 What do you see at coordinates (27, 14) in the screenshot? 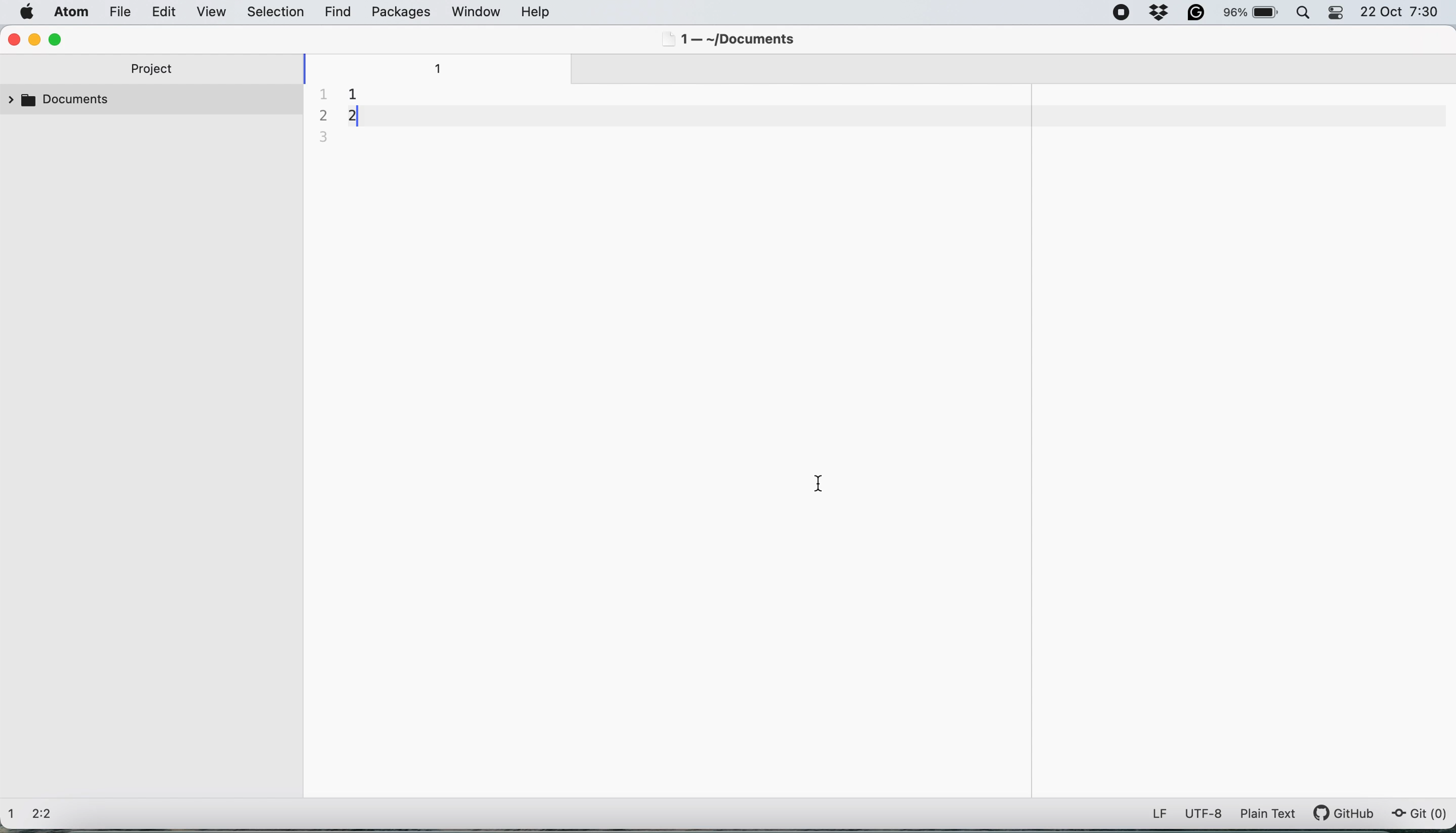
I see `system logo` at bounding box center [27, 14].